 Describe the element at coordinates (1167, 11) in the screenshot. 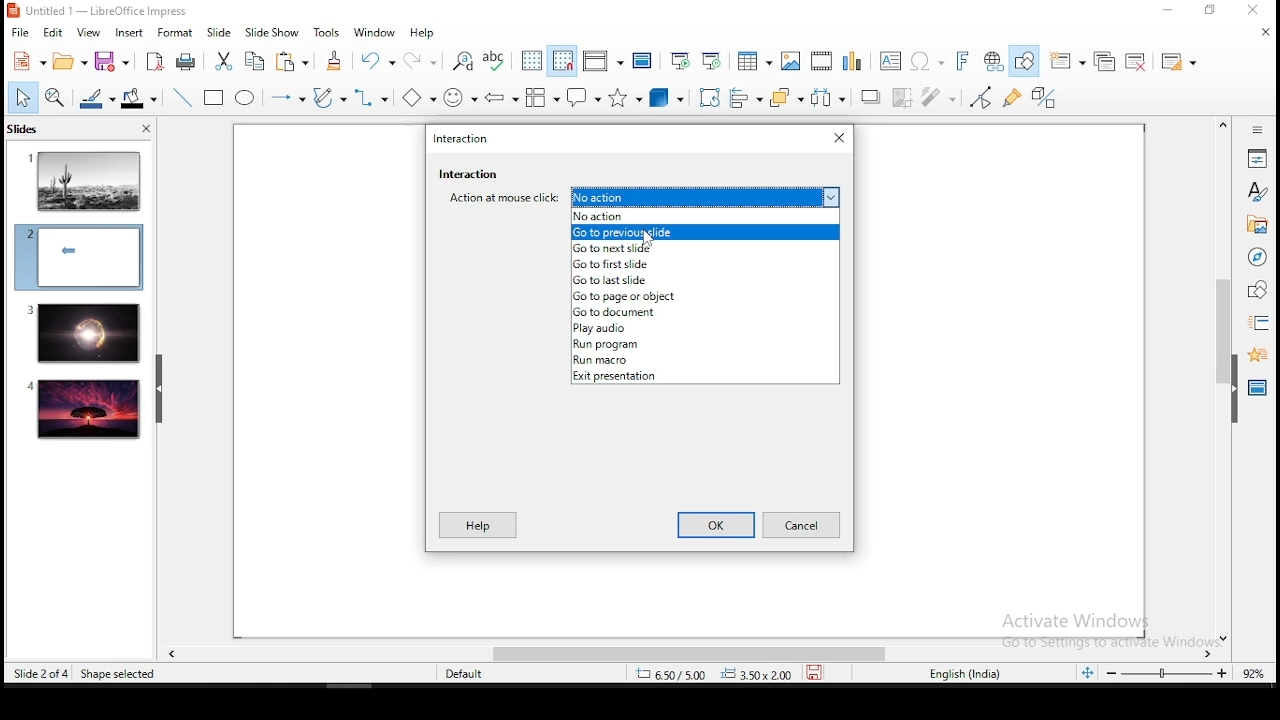

I see `minimize` at that location.